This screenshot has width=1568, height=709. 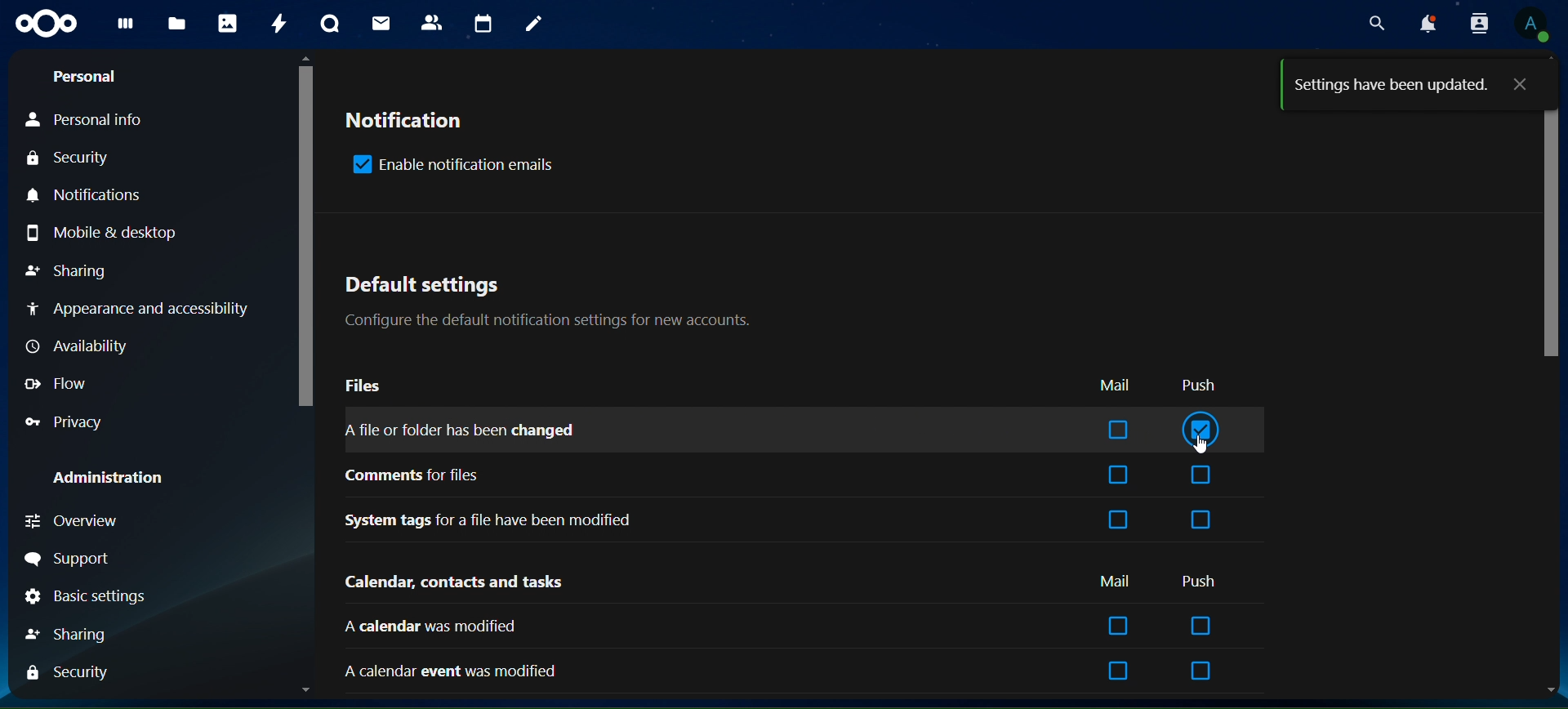 I want to click on settings have been updated, so click(x=1393, y=85).